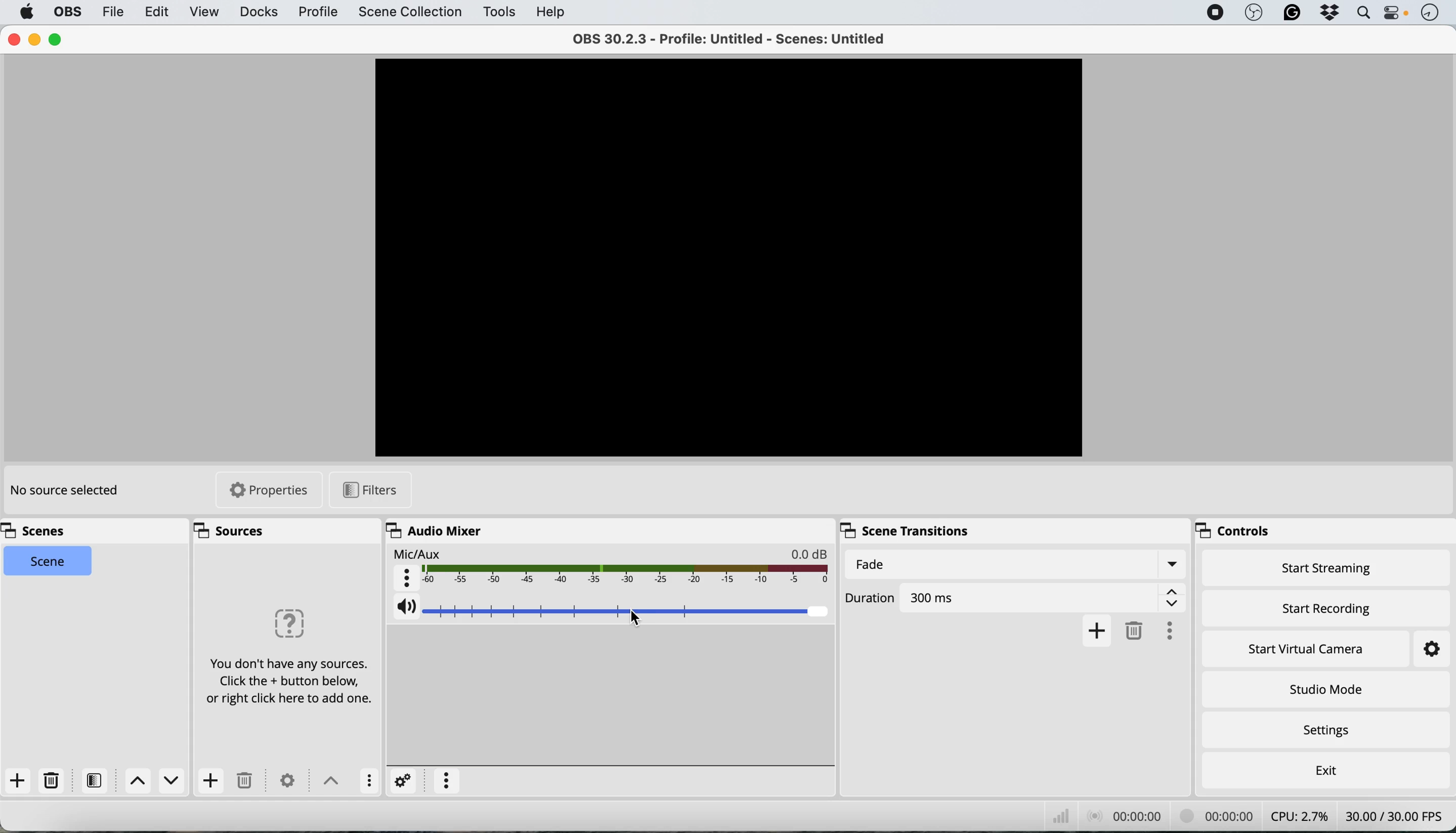 This screenshot has width=1456, height=833. Describe the element at coordinates (316, 14) in the screenshot. I see `profile` at that location.